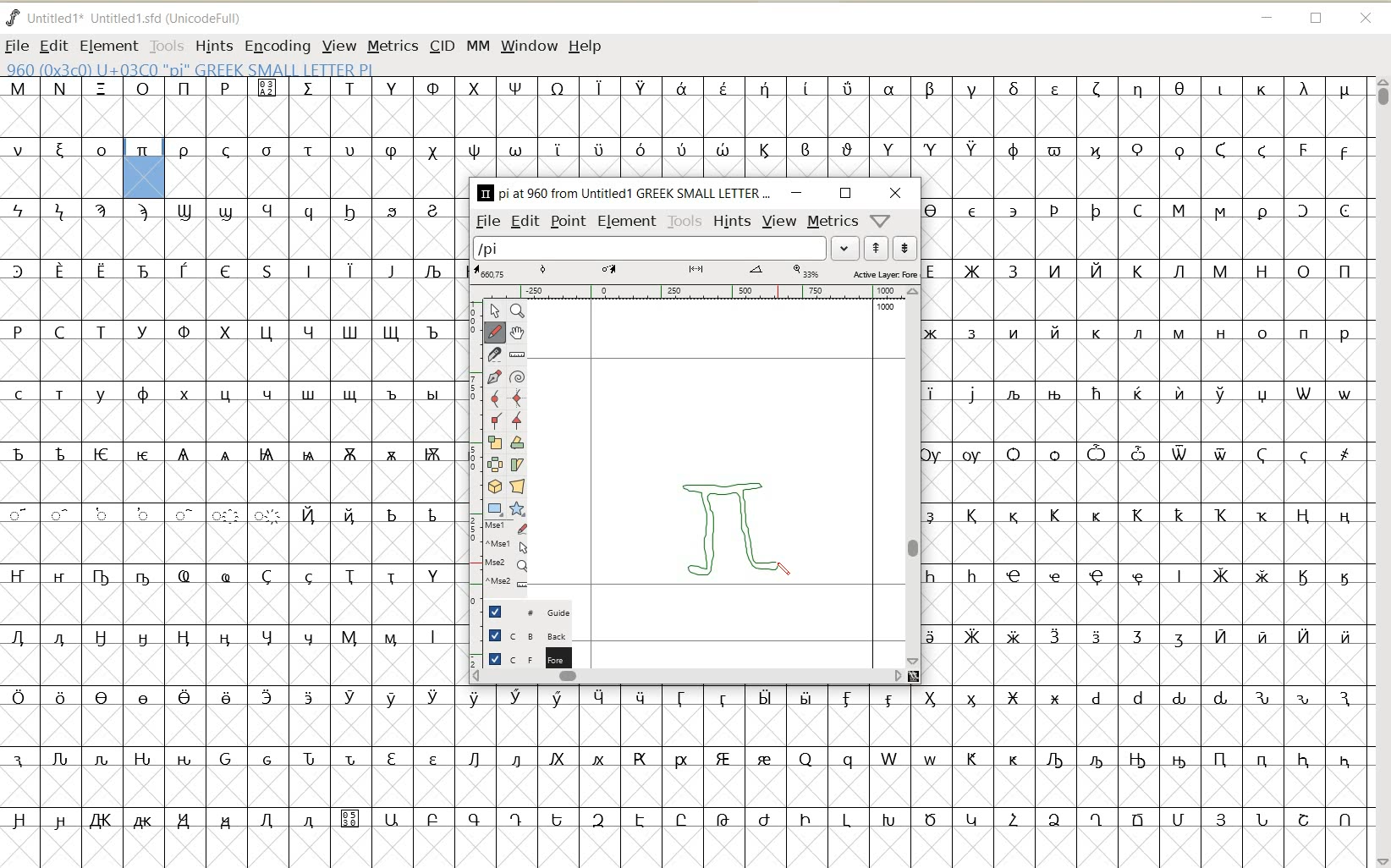  I want to click on Add a corner point, so click(519, 421).